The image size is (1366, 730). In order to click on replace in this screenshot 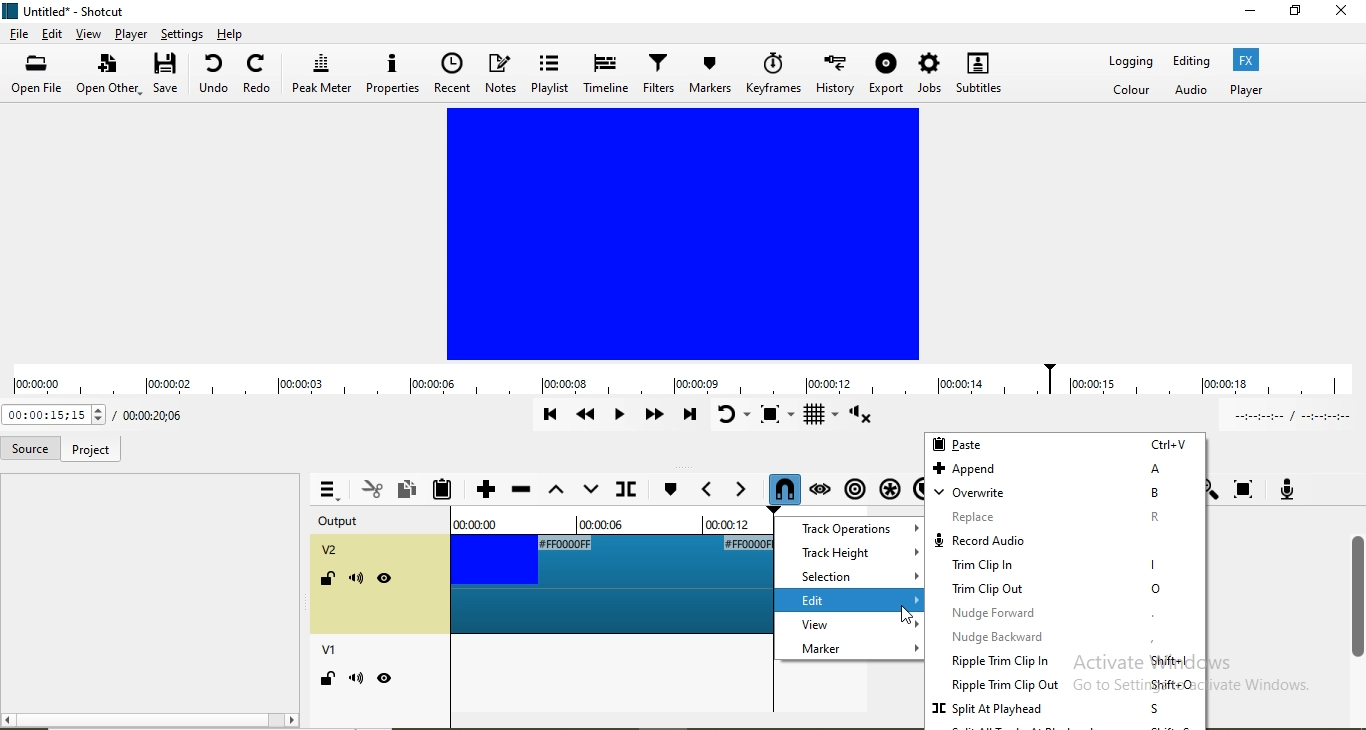, I will do `click(1066, 518)`.